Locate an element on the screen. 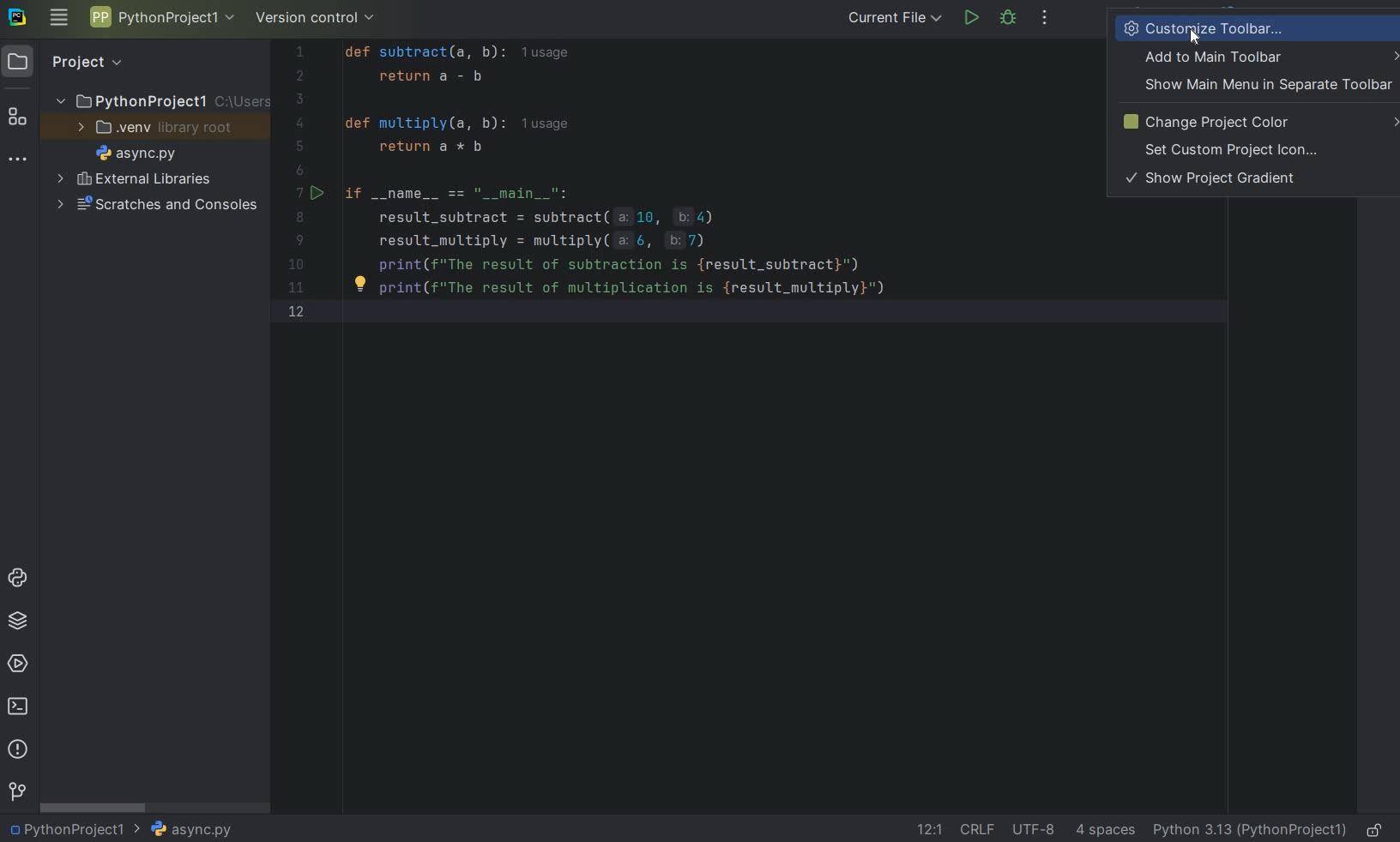  SET CUSTOM PROJECT ICON is located at coordinates (1233, 150).